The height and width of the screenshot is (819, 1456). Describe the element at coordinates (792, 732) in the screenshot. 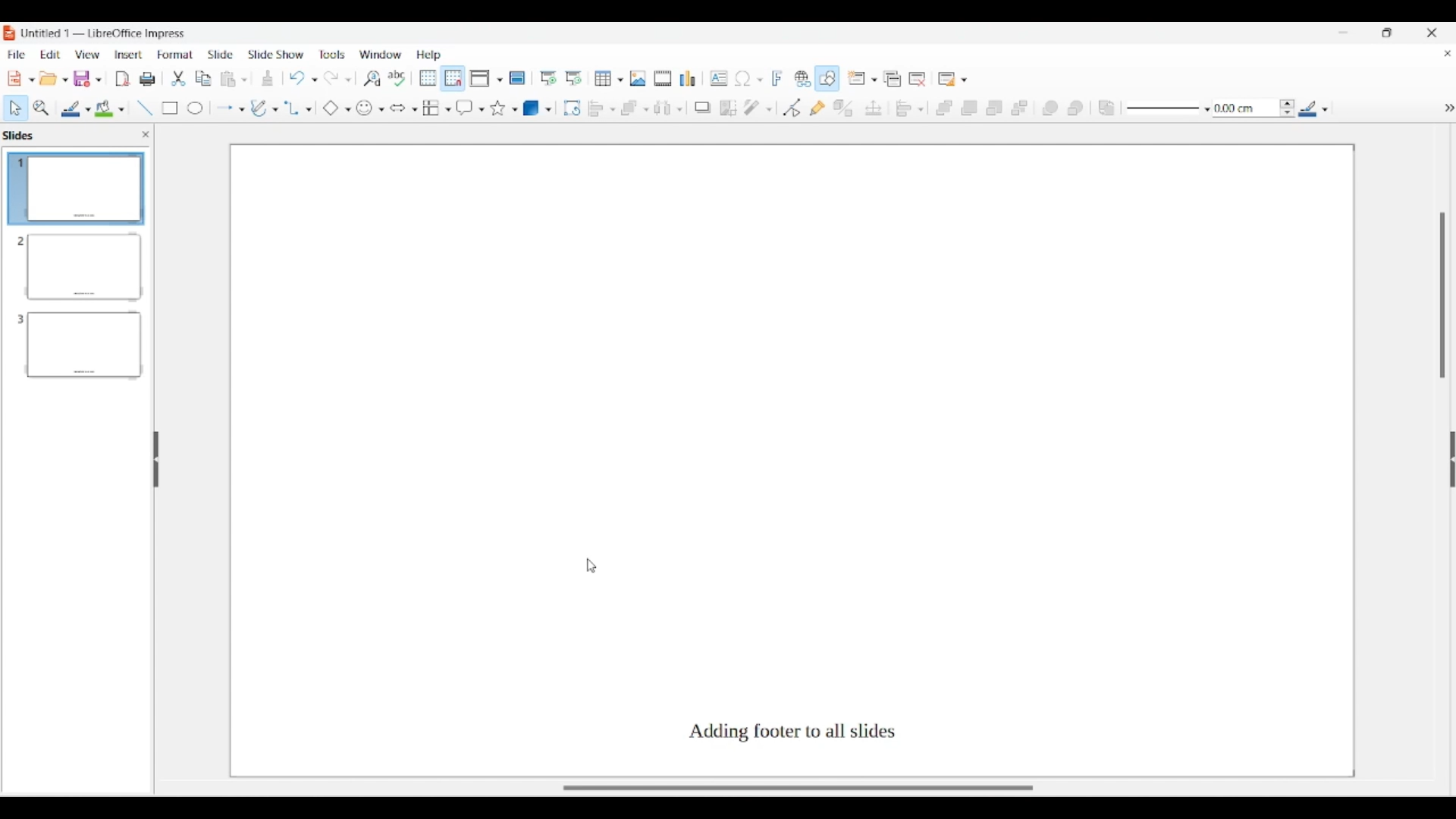

I see `Footer added along with footer text` at that location.